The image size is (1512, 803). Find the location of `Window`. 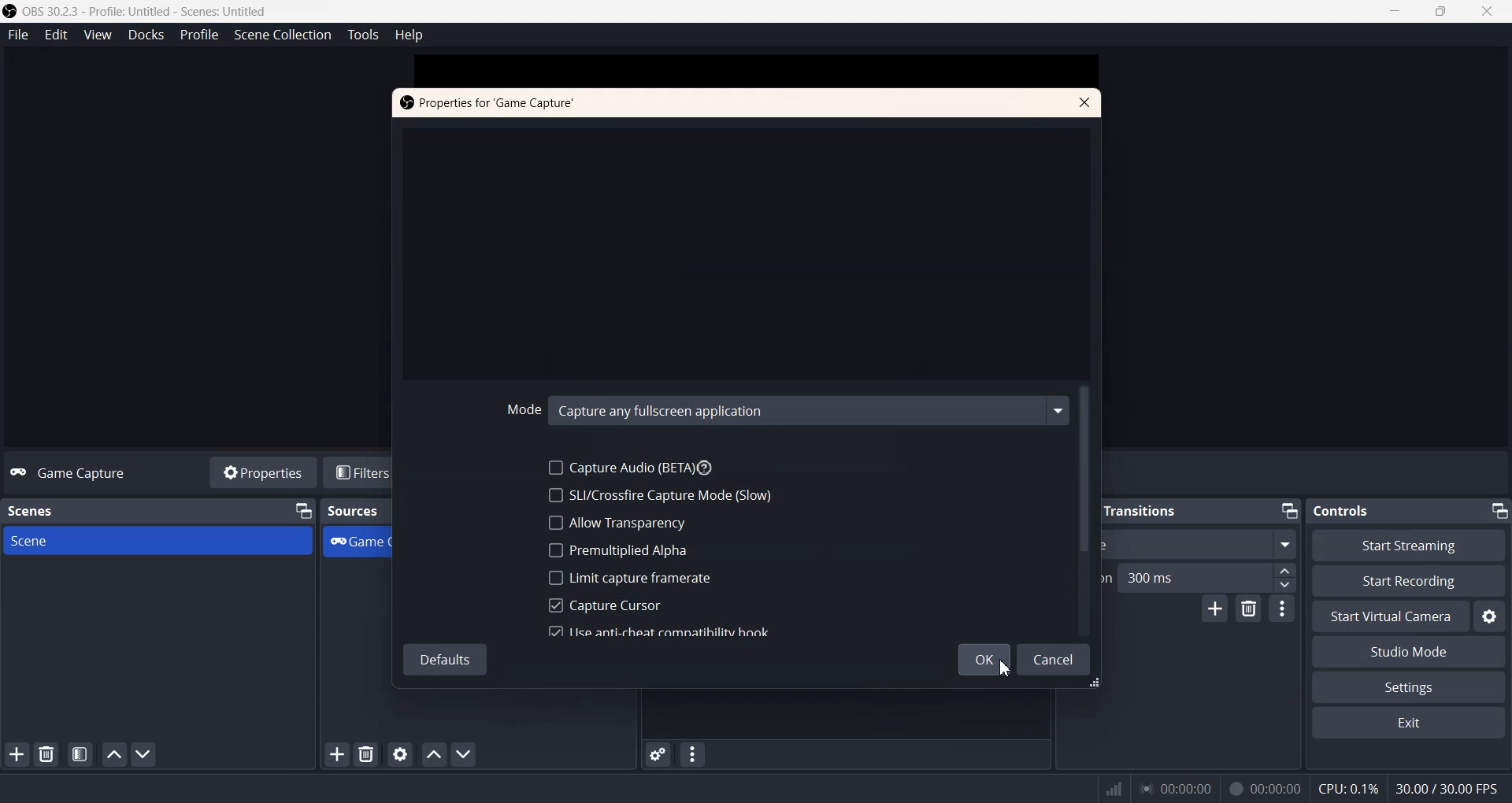

Window is located at coordinates (746, 253).